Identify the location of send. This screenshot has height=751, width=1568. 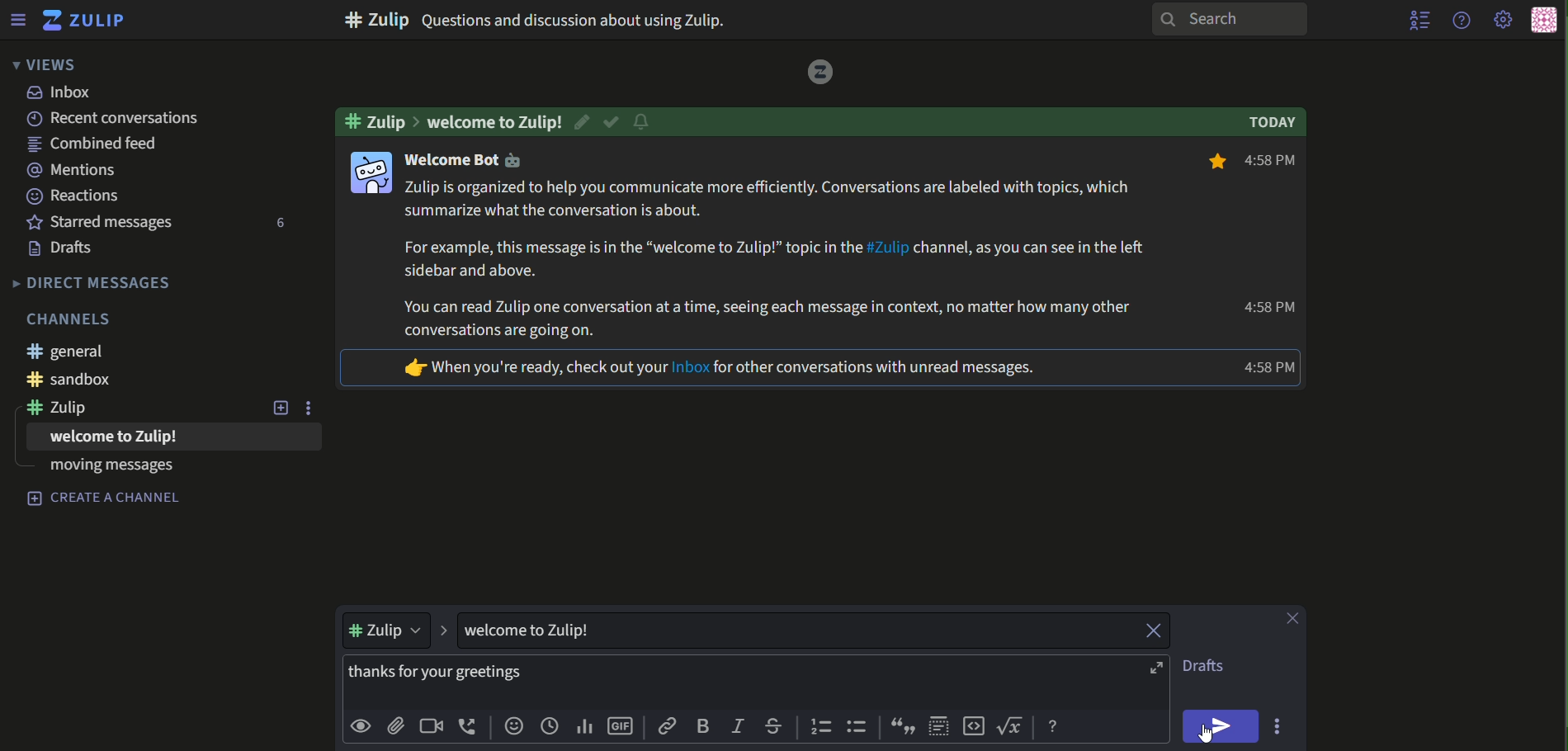
(1222, 726).